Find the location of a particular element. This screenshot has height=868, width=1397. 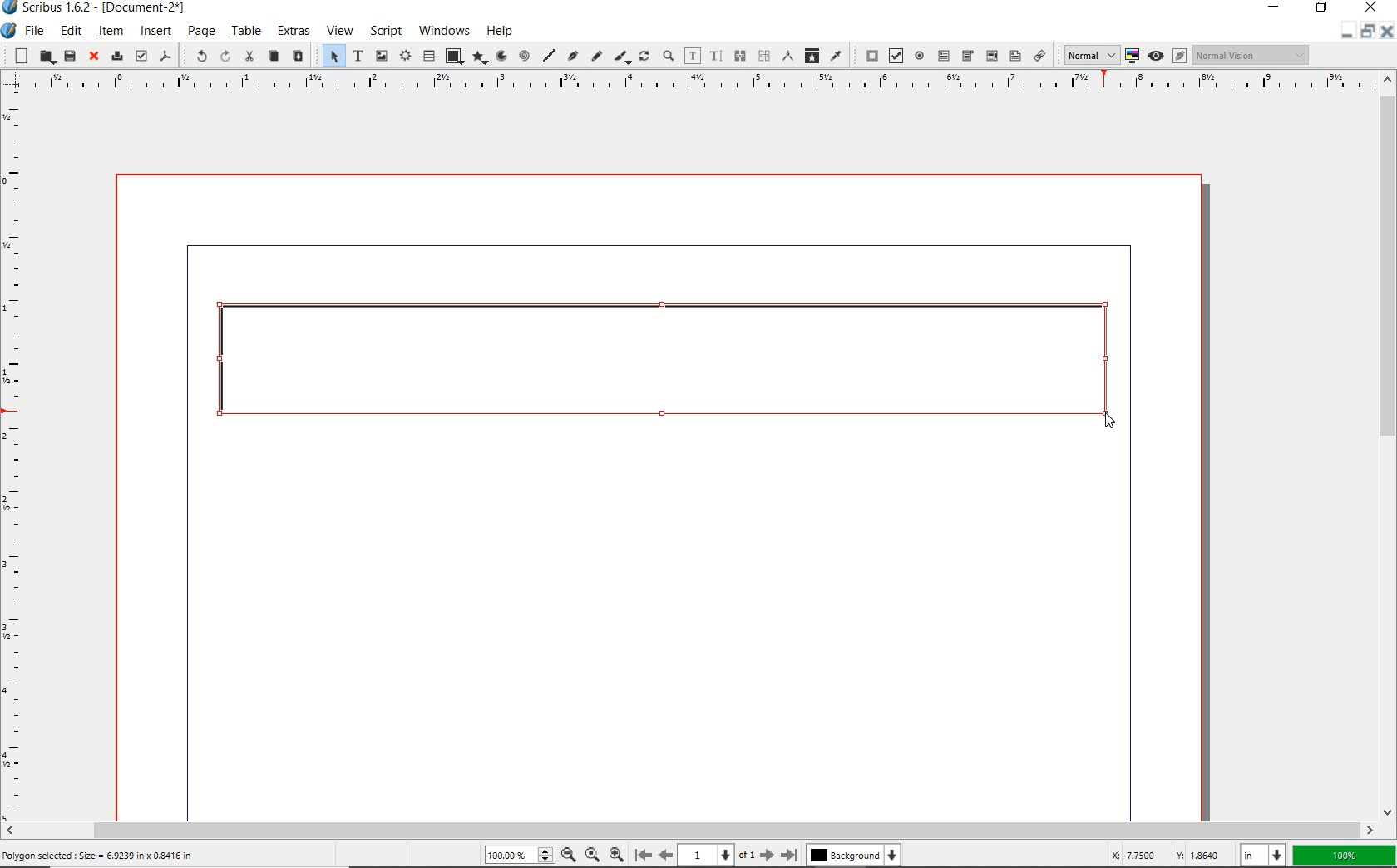

view is located at coordinates (341, 32).